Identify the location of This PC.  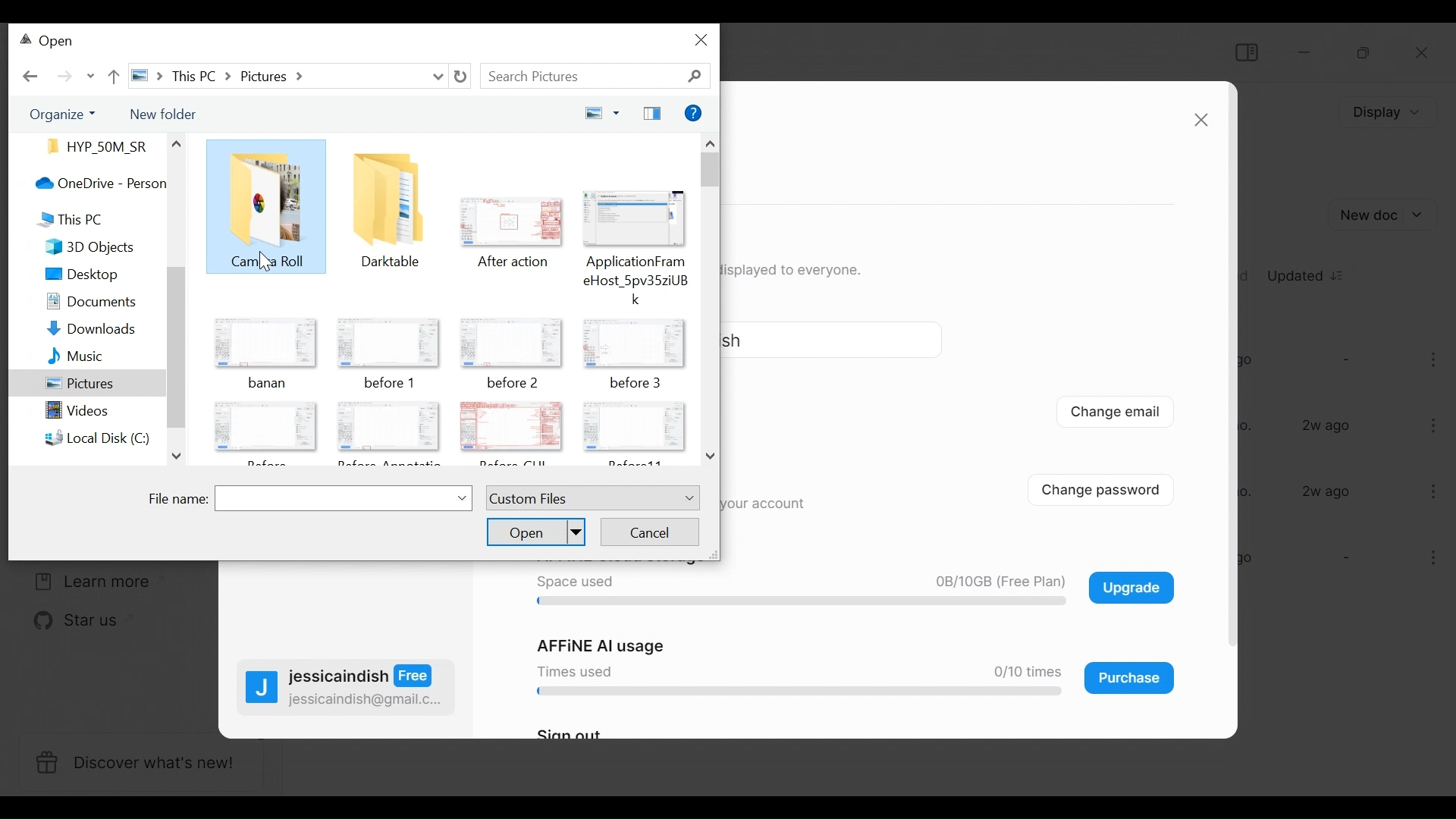
(61, 218).